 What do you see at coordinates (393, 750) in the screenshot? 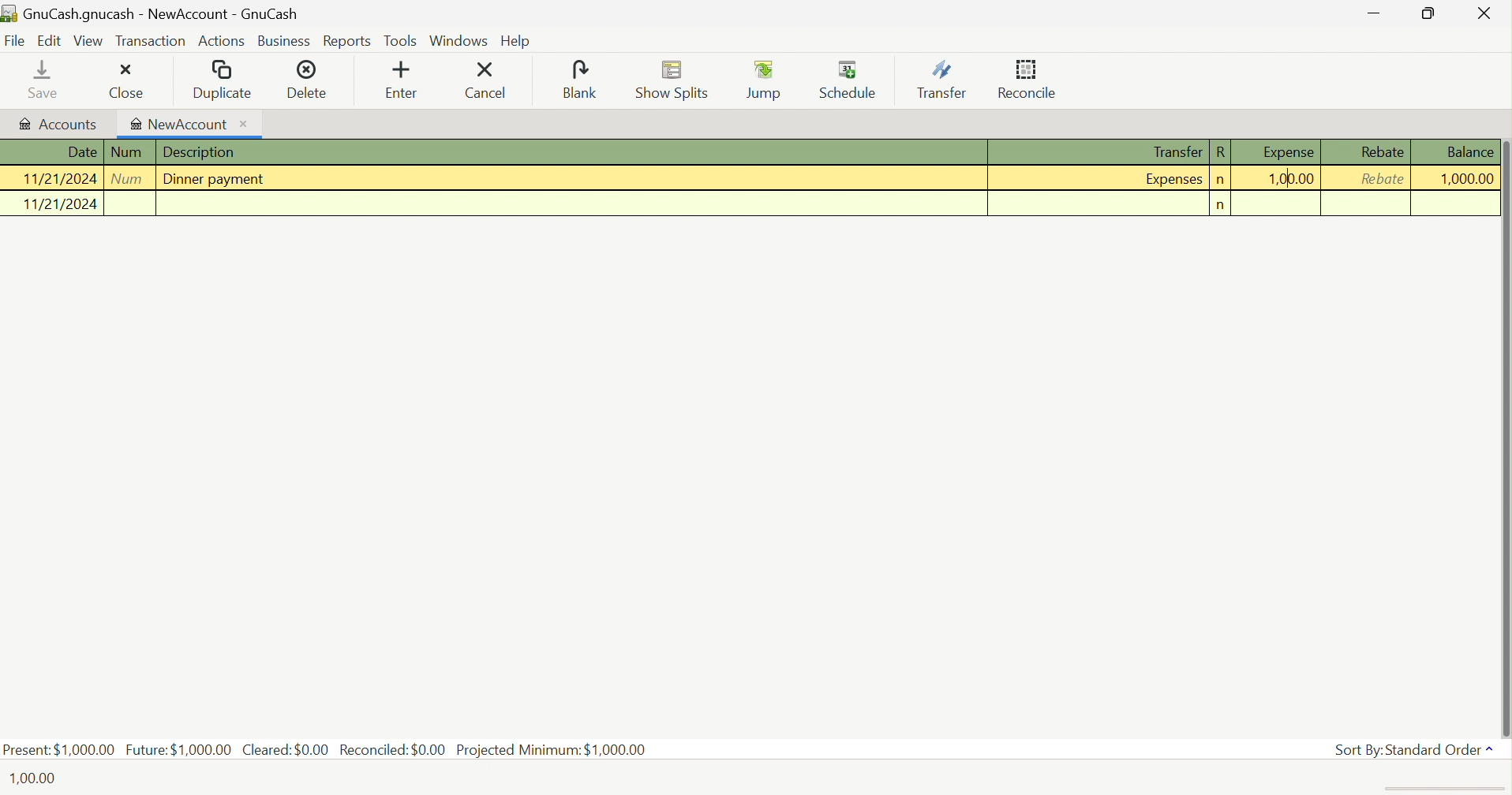
I see `Reconciled: $0.00` at bounding box center [393, 750].